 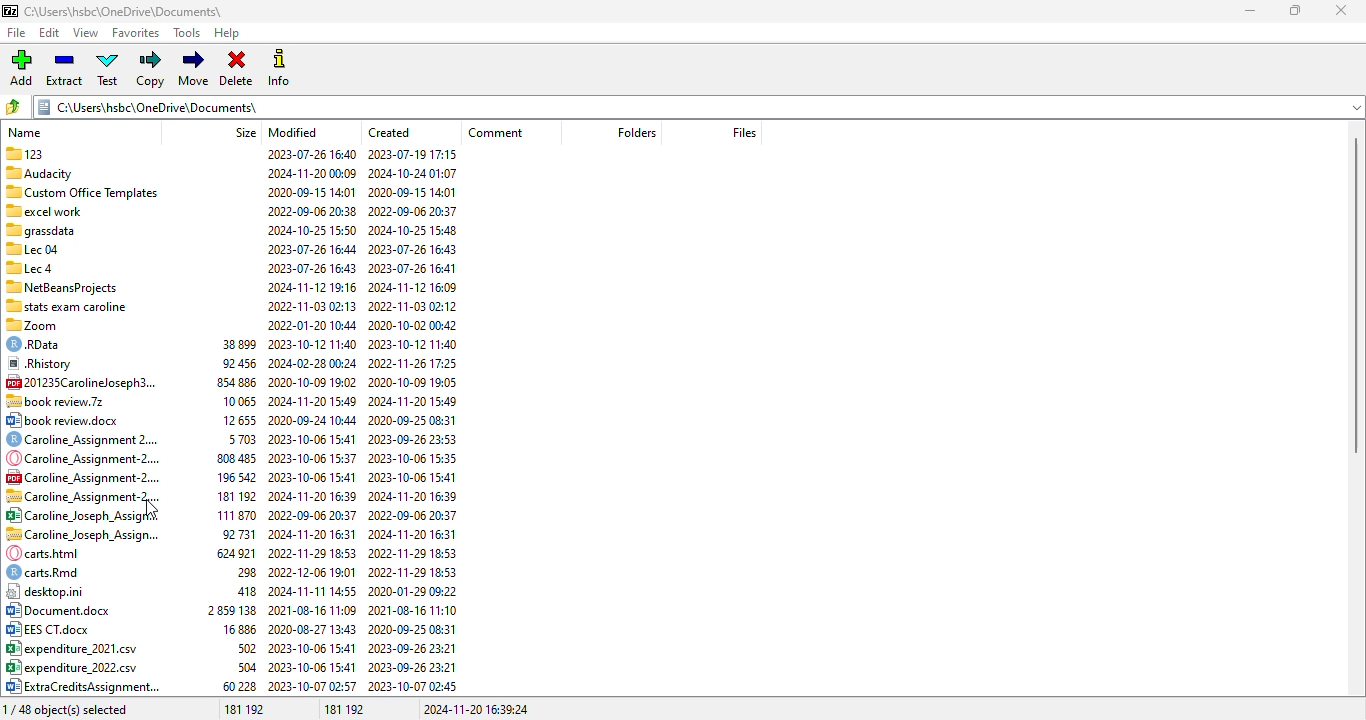 I want to click on 25 book review.7z 10065 2024-11-20 15:49 2024-11-20 15:49, so click(x=232, y=400).